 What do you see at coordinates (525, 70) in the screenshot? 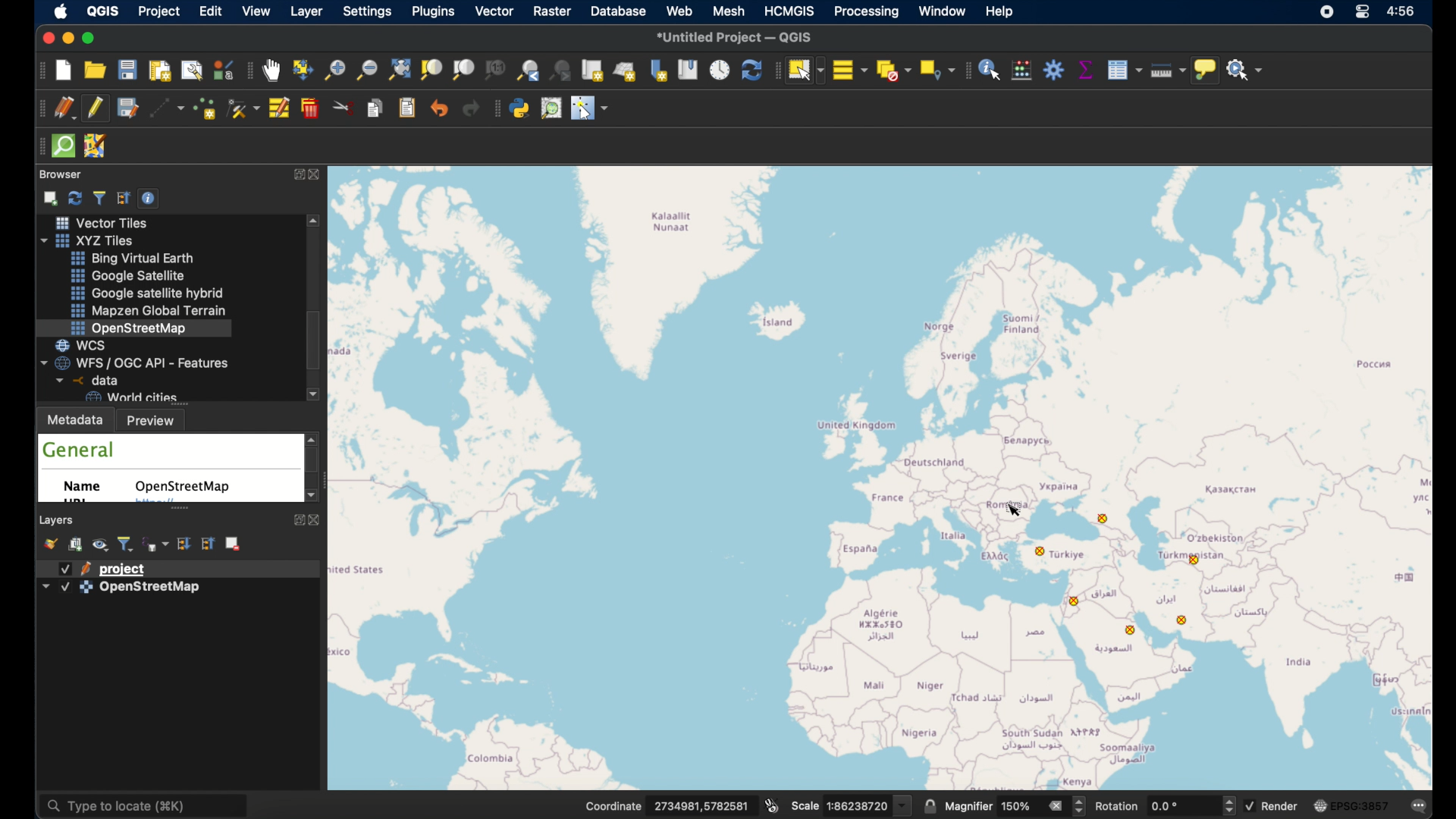
I see `zoom last` at bounding box center [525, 70].